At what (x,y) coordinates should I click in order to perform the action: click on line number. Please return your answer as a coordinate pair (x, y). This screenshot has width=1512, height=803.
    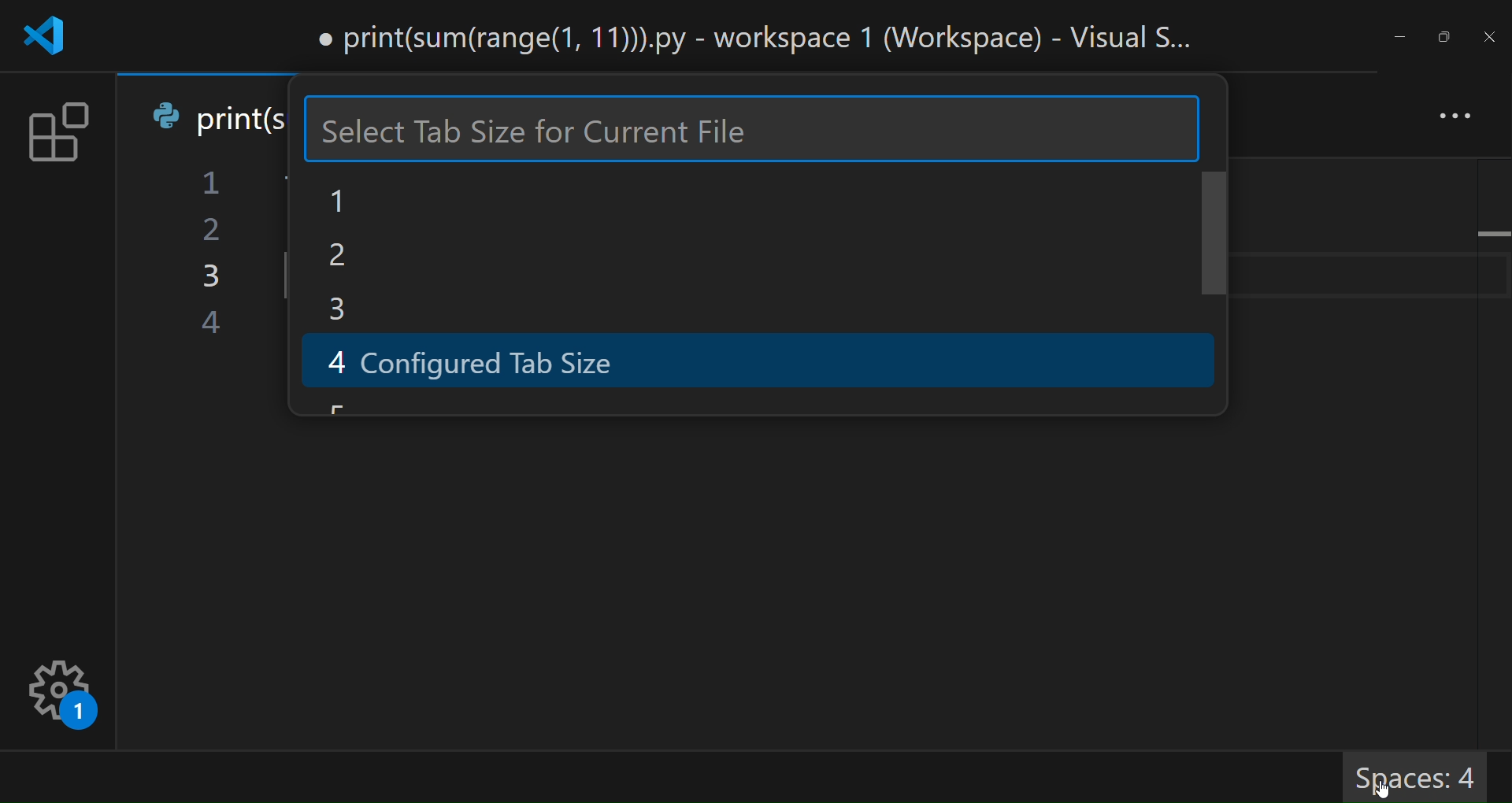
    Looking at the image, I should click on (206, 257).